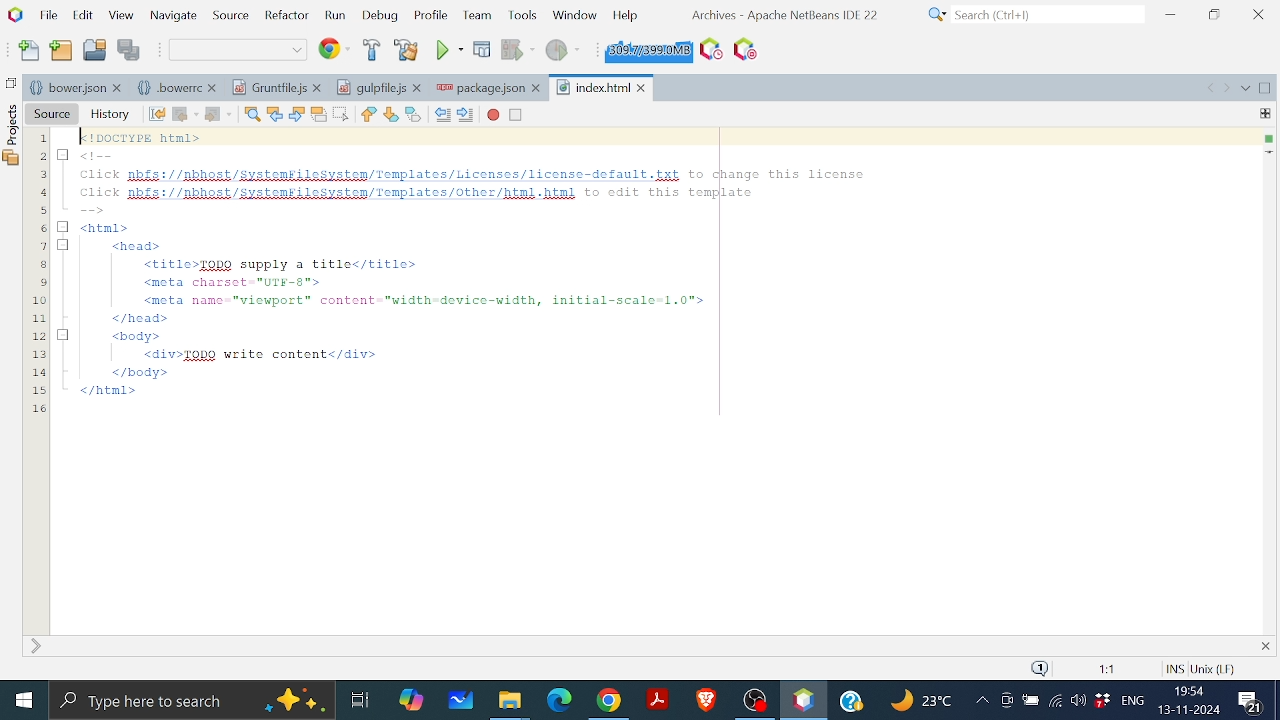  What do you see at coordinates (1208, 90) in the screenshot?
I see `scroll documents left` at bounding box center [1208, 90].